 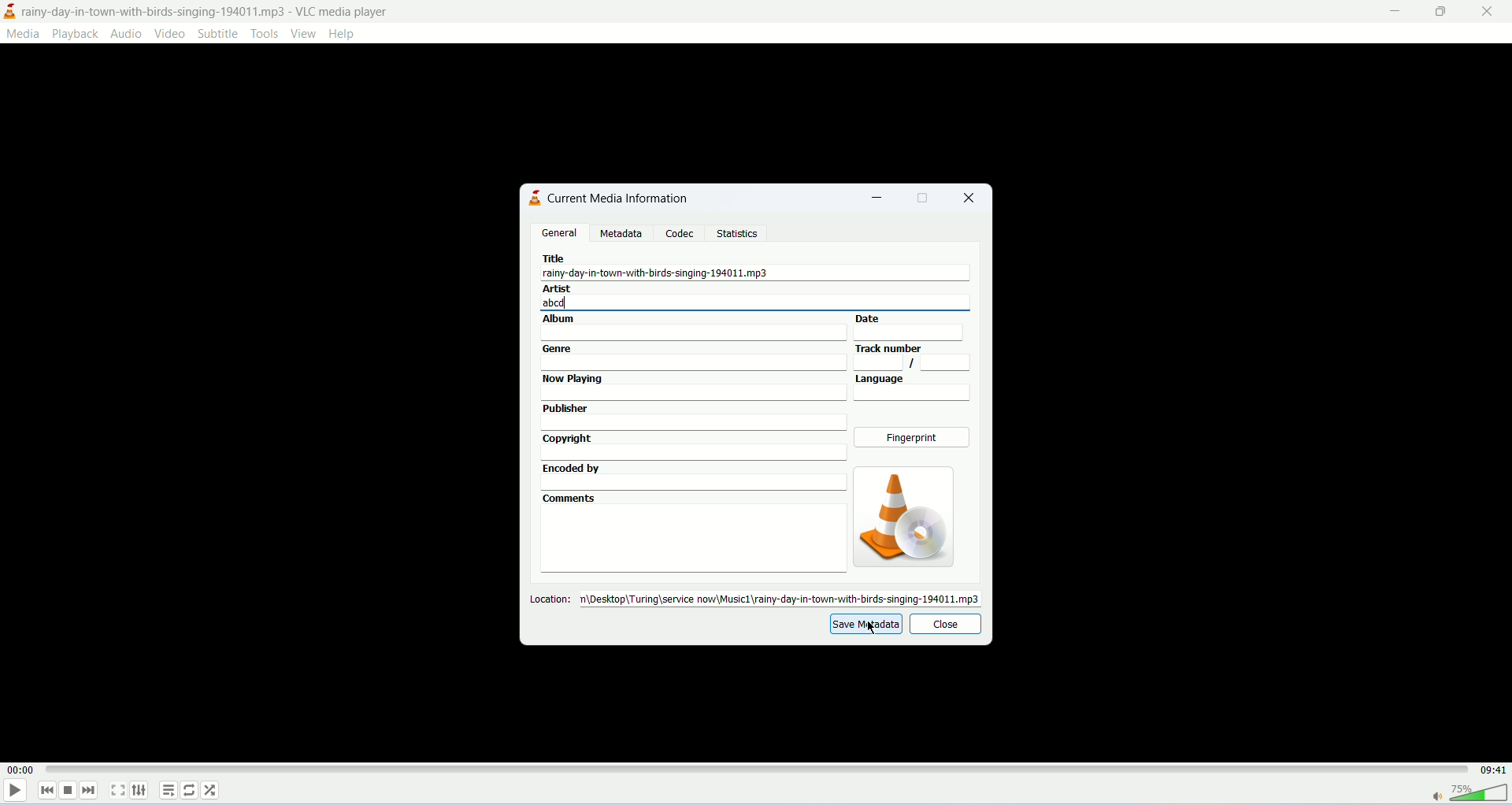 What do you see at coordinates (758, 769) in the screenshot?
I see `progress bar` at bounding box center [758, 769].